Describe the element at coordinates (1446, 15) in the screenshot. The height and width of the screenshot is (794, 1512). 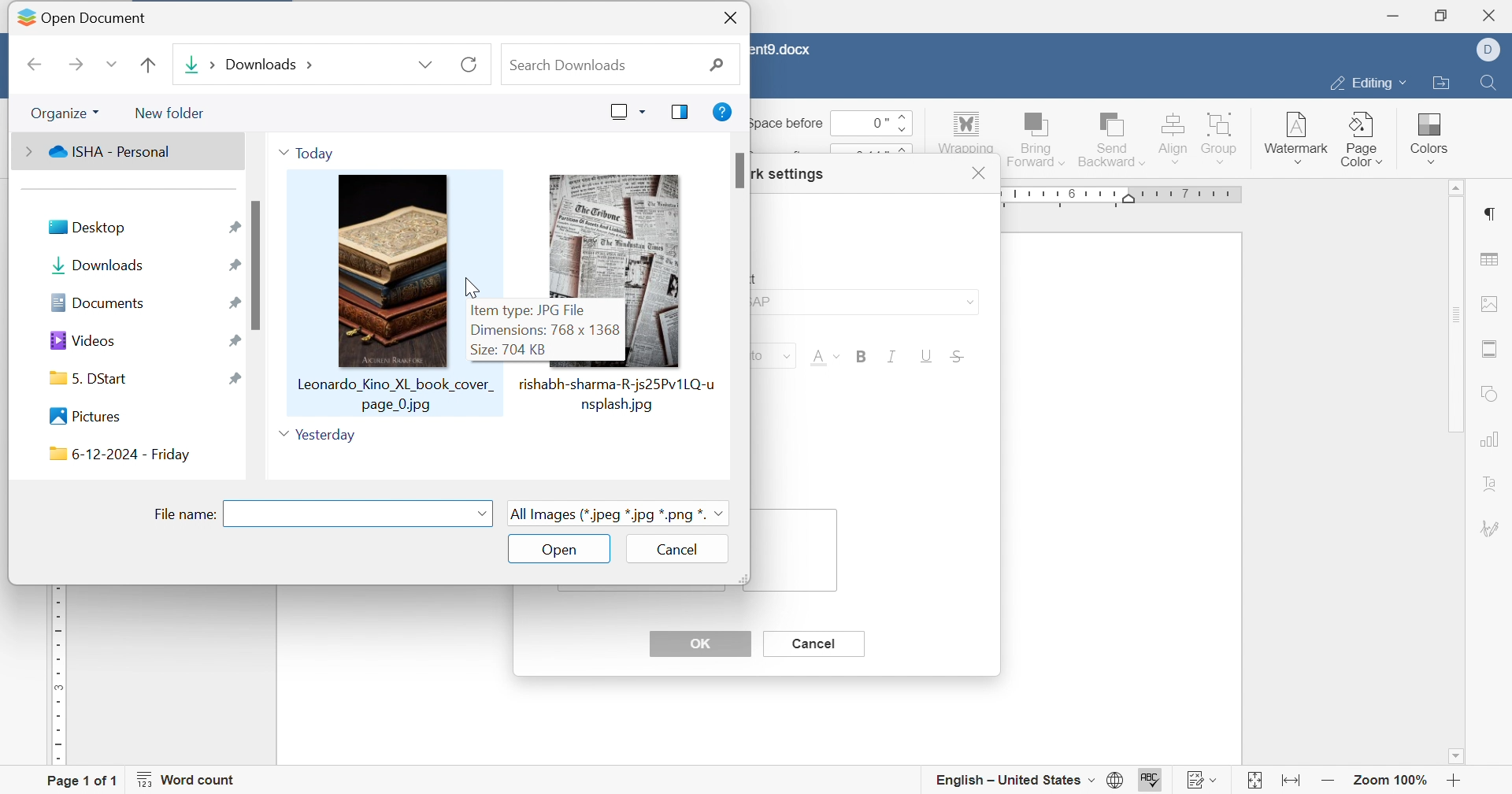
I see `restore down` at that location.